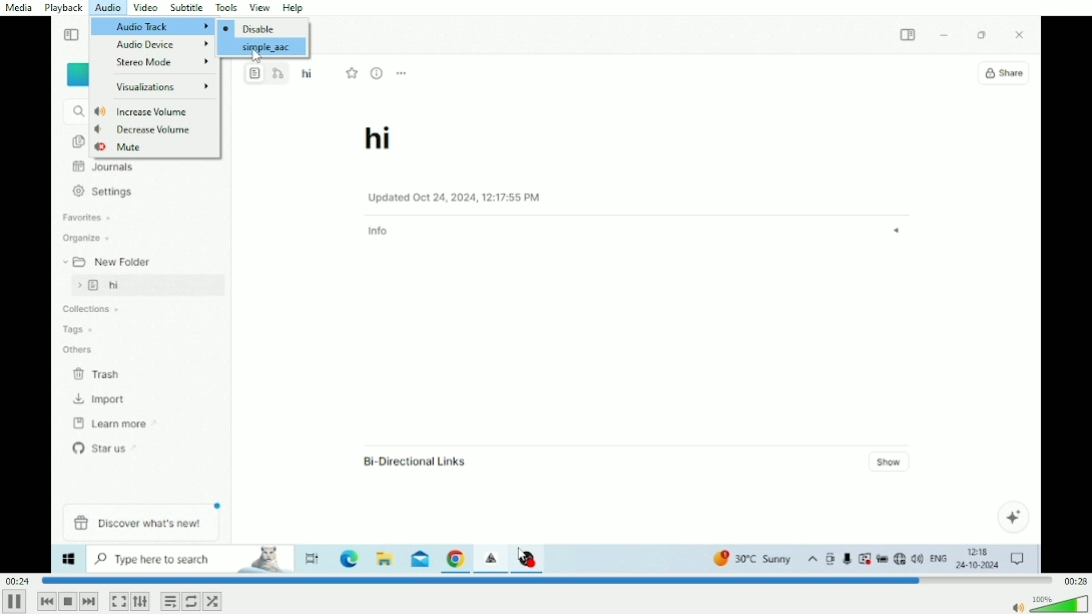  I want to click on Disable, so click(250, 28).